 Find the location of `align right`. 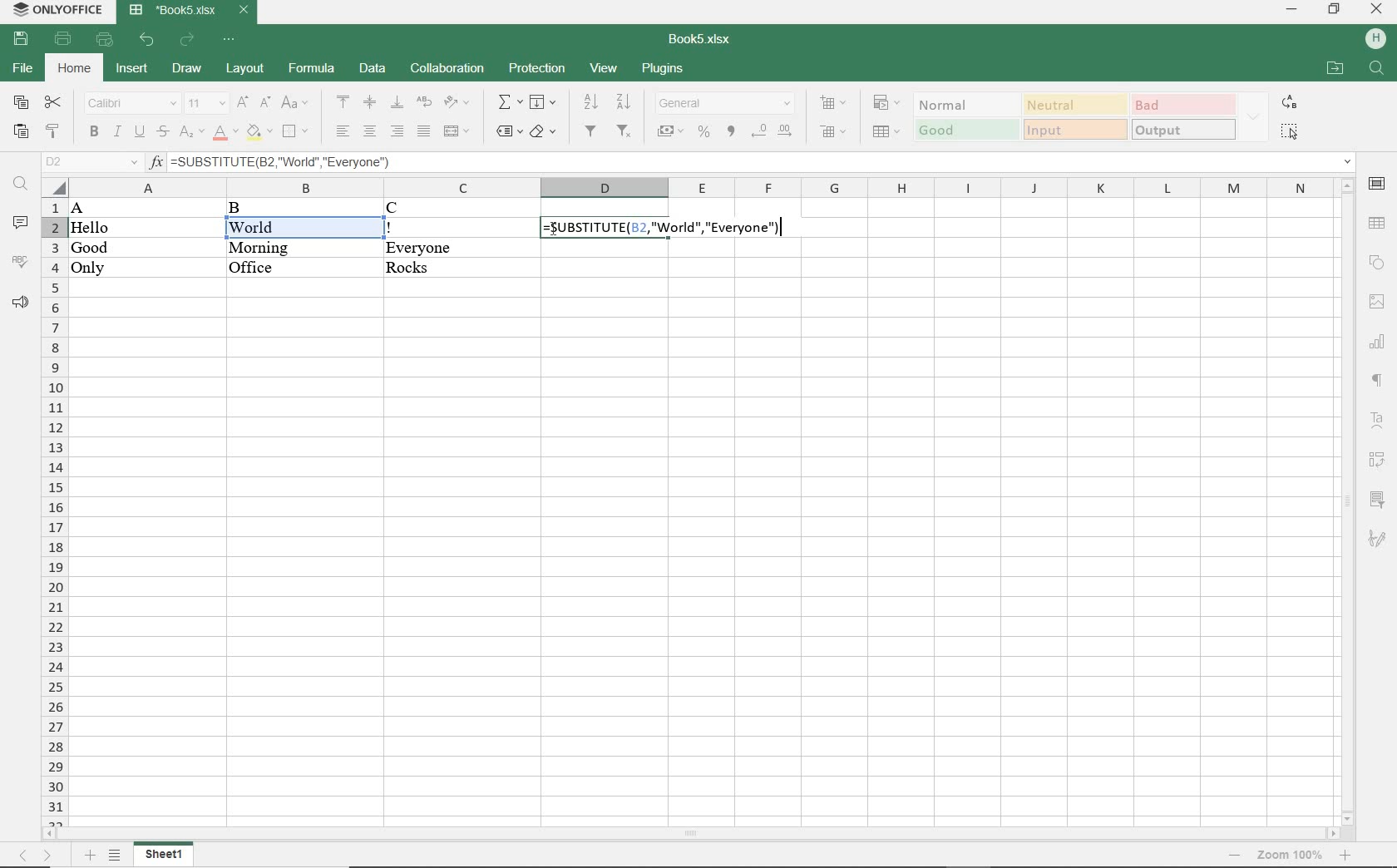

align right is located at coordinates (397, 132).